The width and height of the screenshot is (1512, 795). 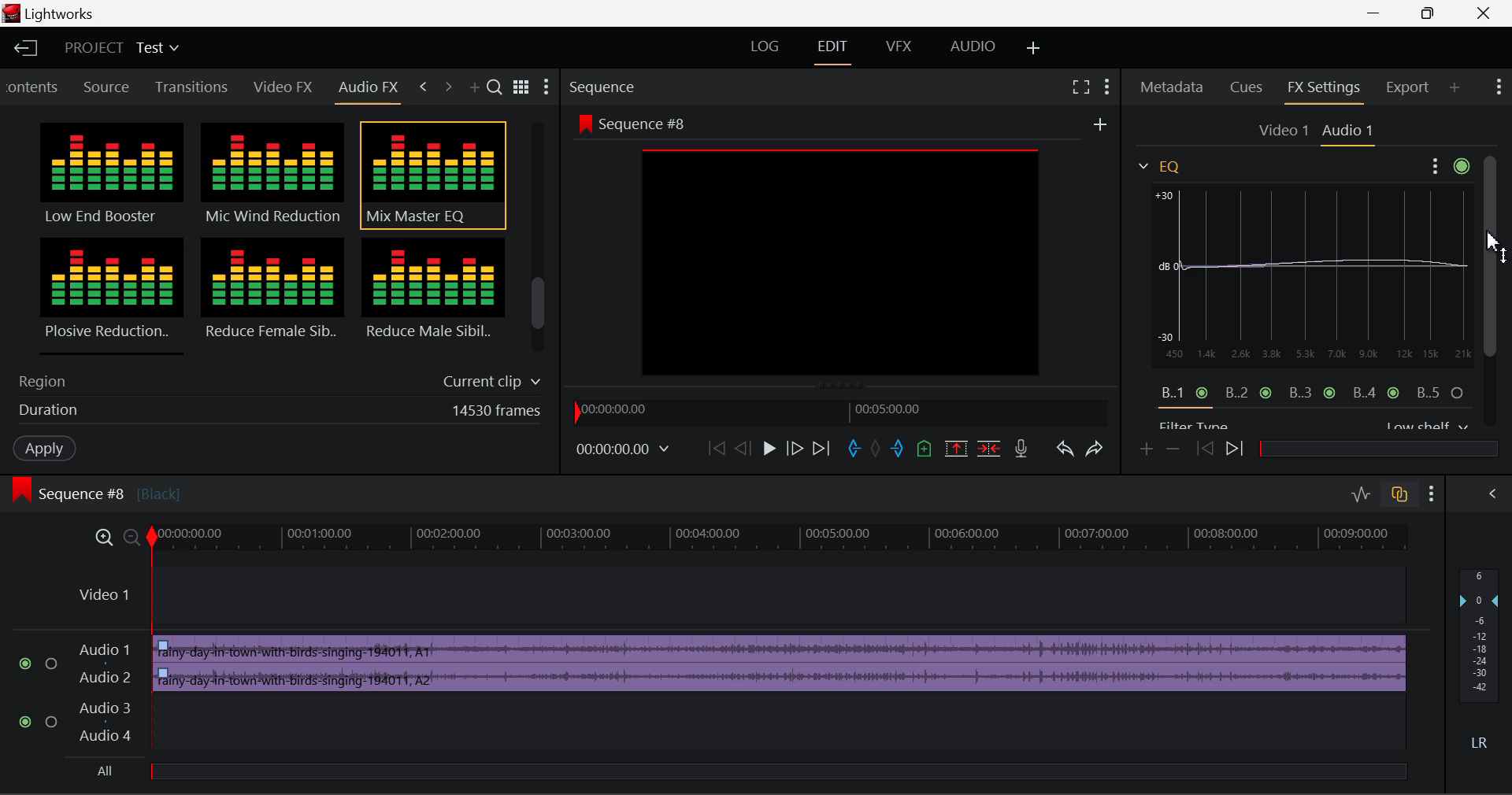 I want to click on Export, so click(x=1408, y=87).